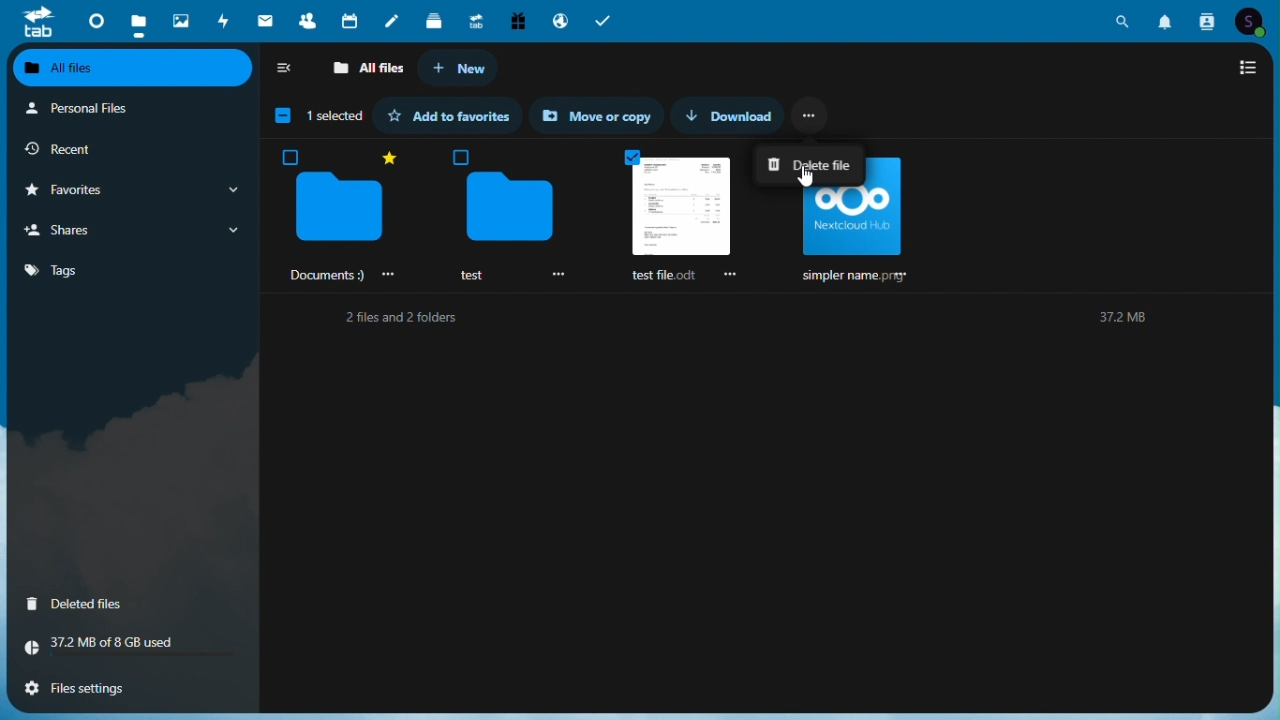 The height and width of the screenshot is (720, 1280). I want to click on Free trial, so click(516, 19).